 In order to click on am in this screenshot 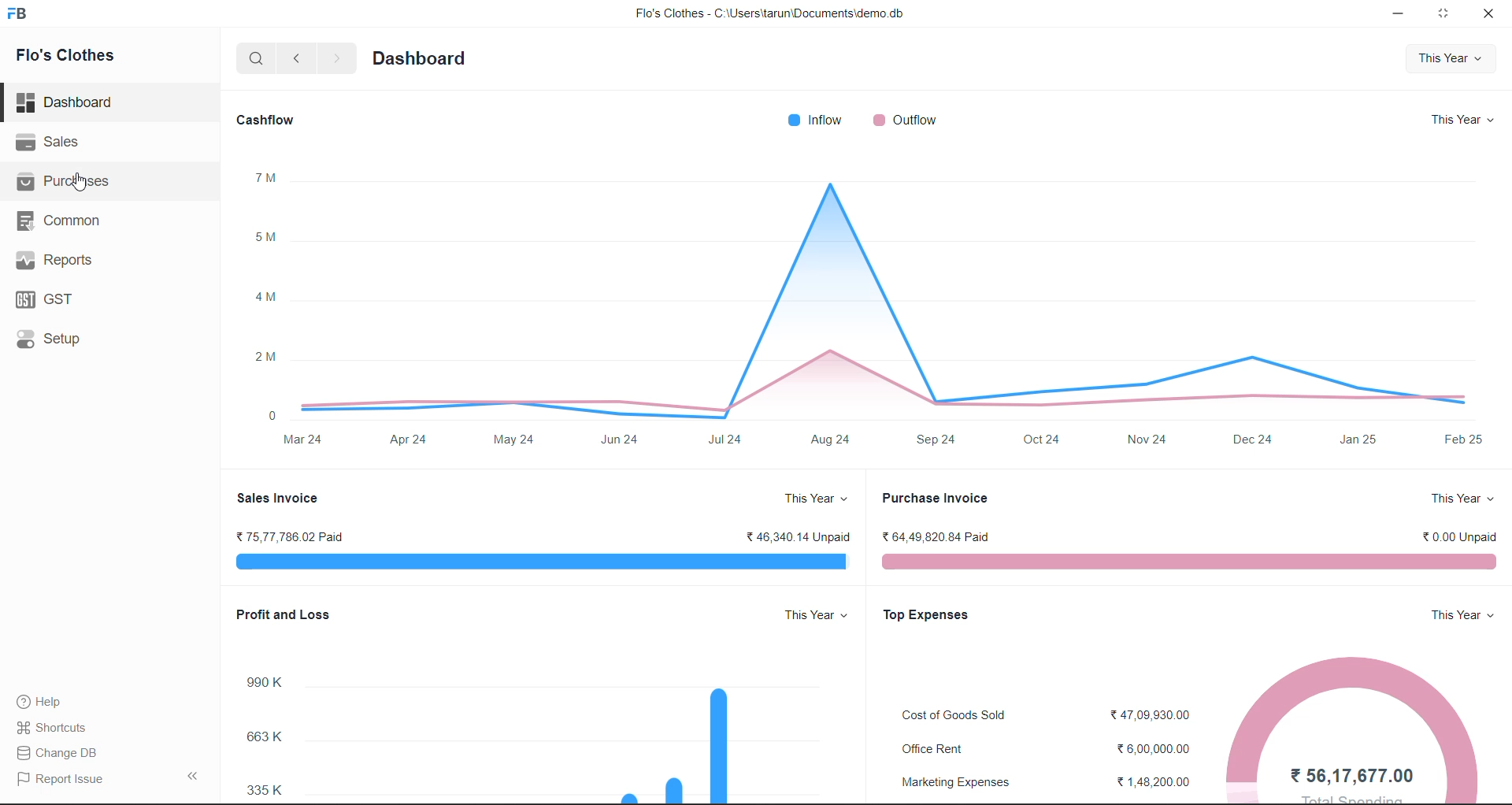, I will do `click(268, 297)`.